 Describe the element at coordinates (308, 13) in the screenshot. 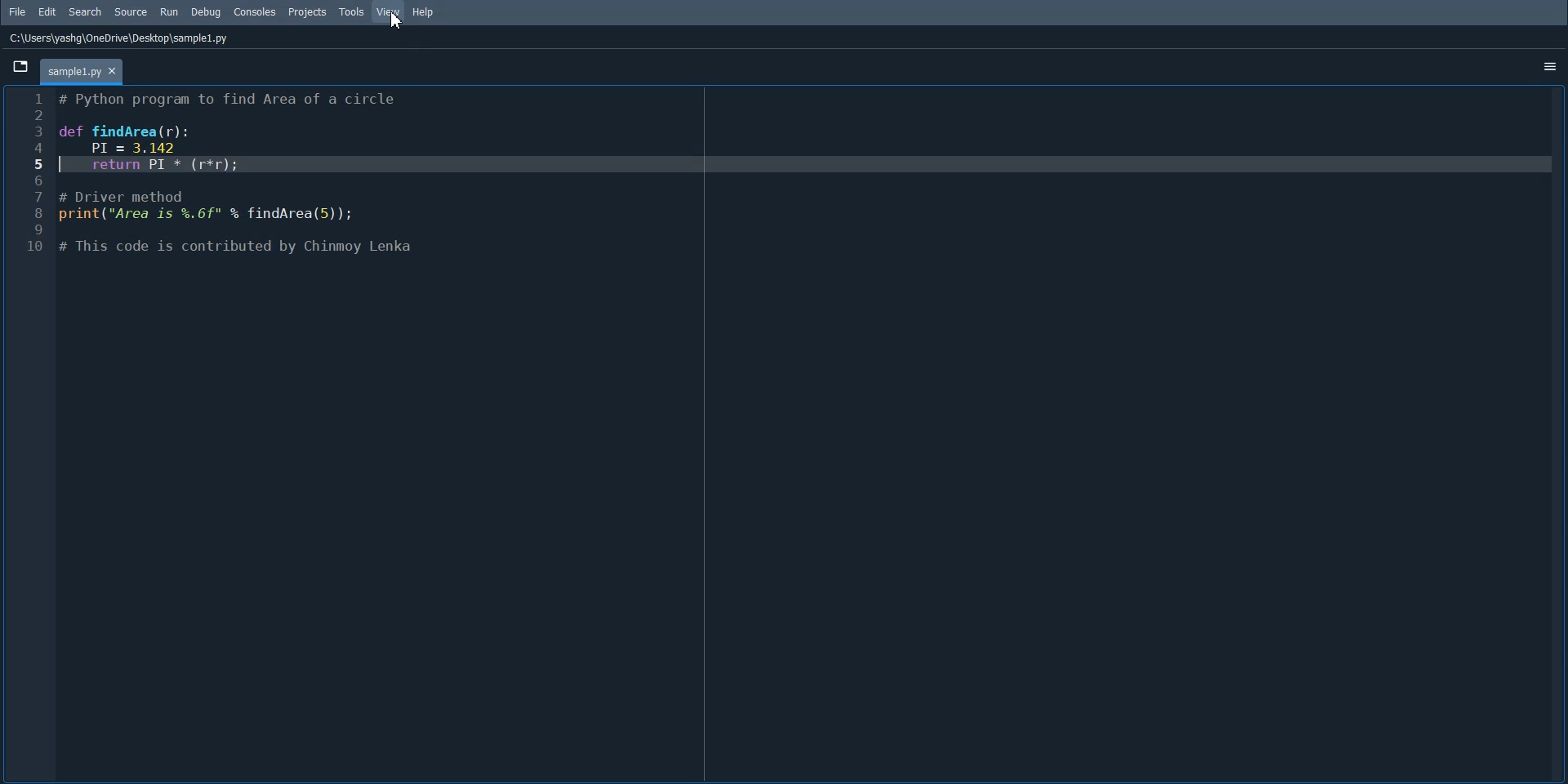

I see `Projects` at that location.